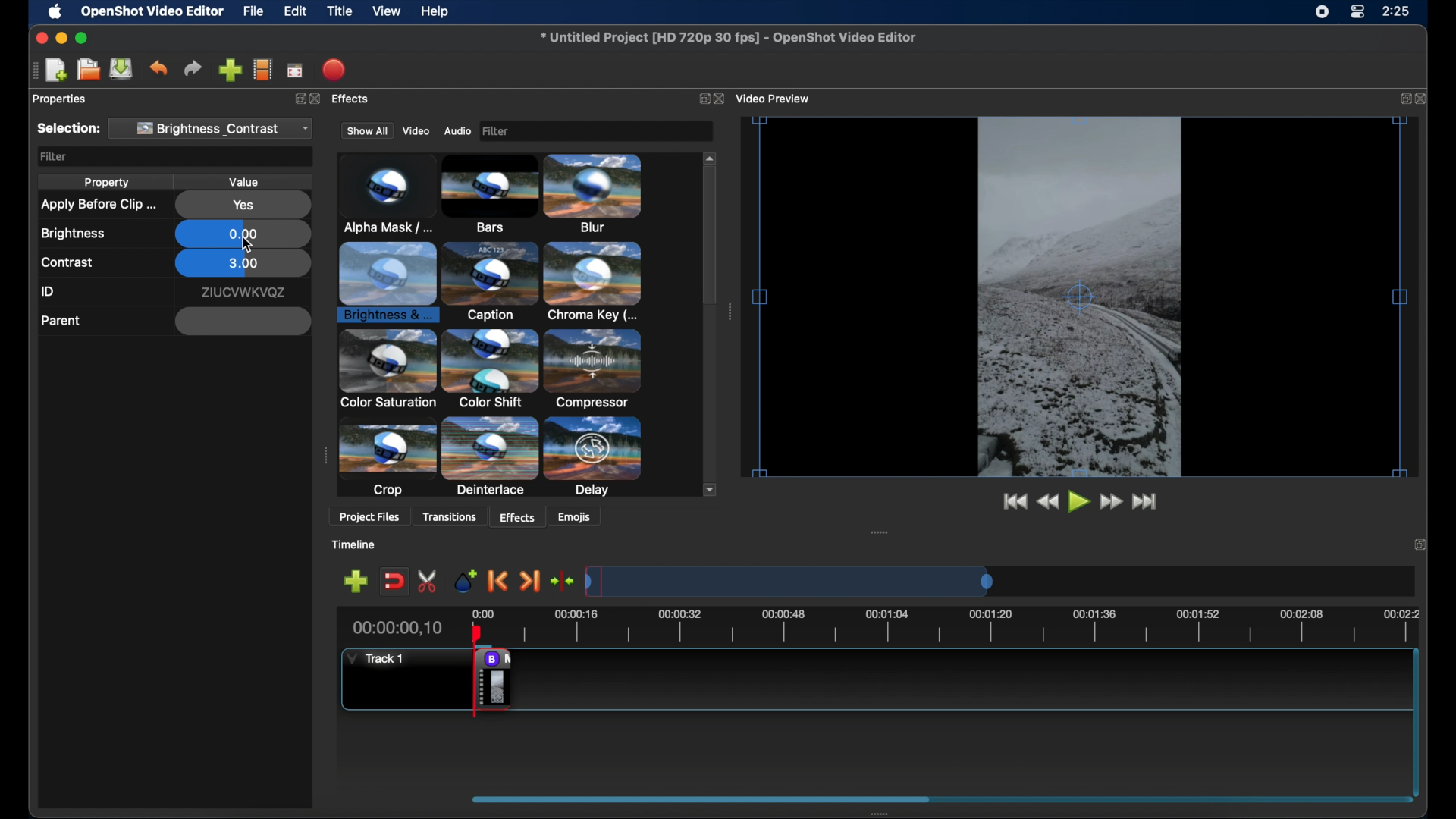  I want to click on export video, so click(334, 69).